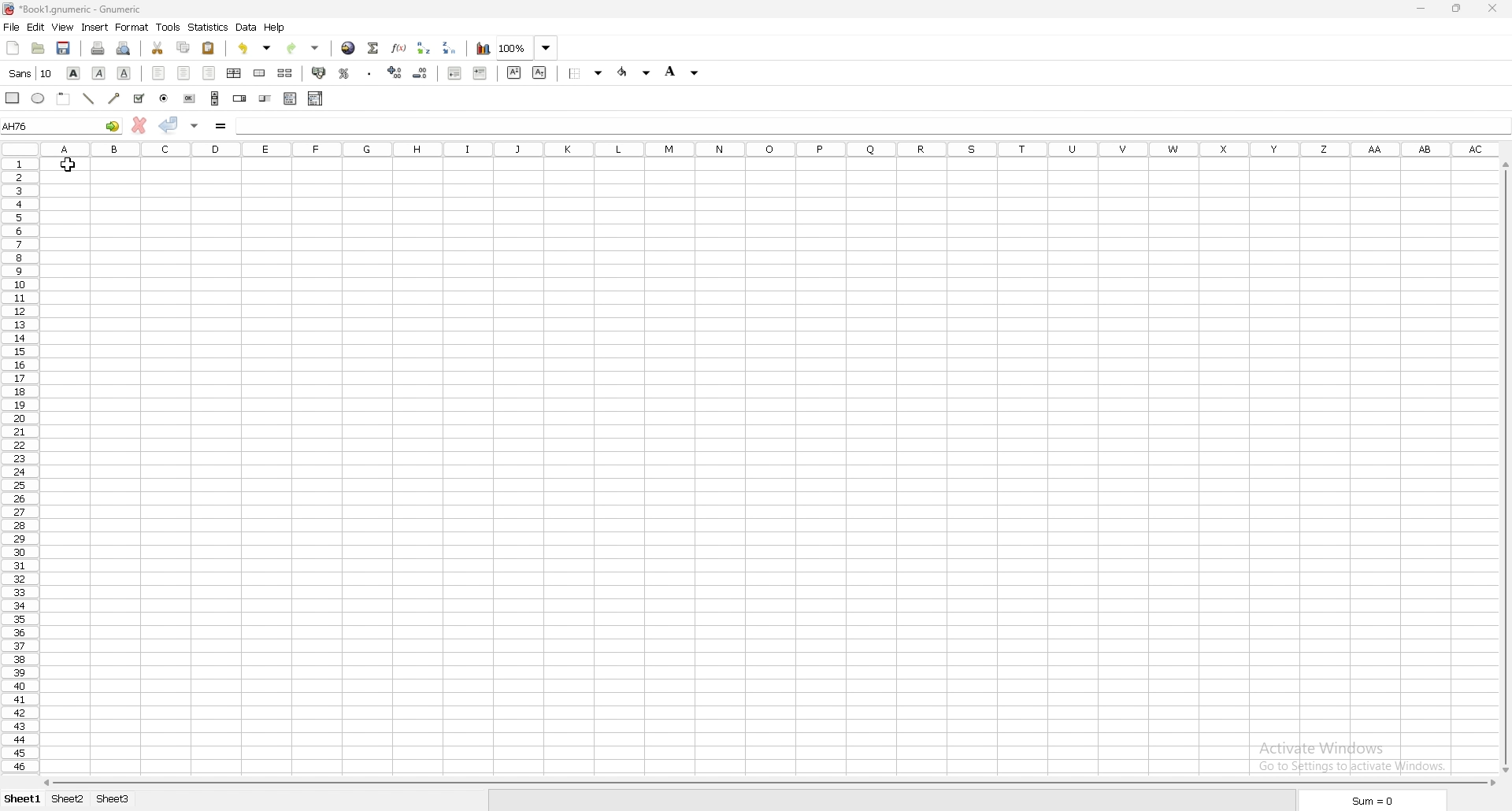  What do you see at coordinates (37, 26) in the screenshot?
I see `edit` at bounding box center [37, 26].